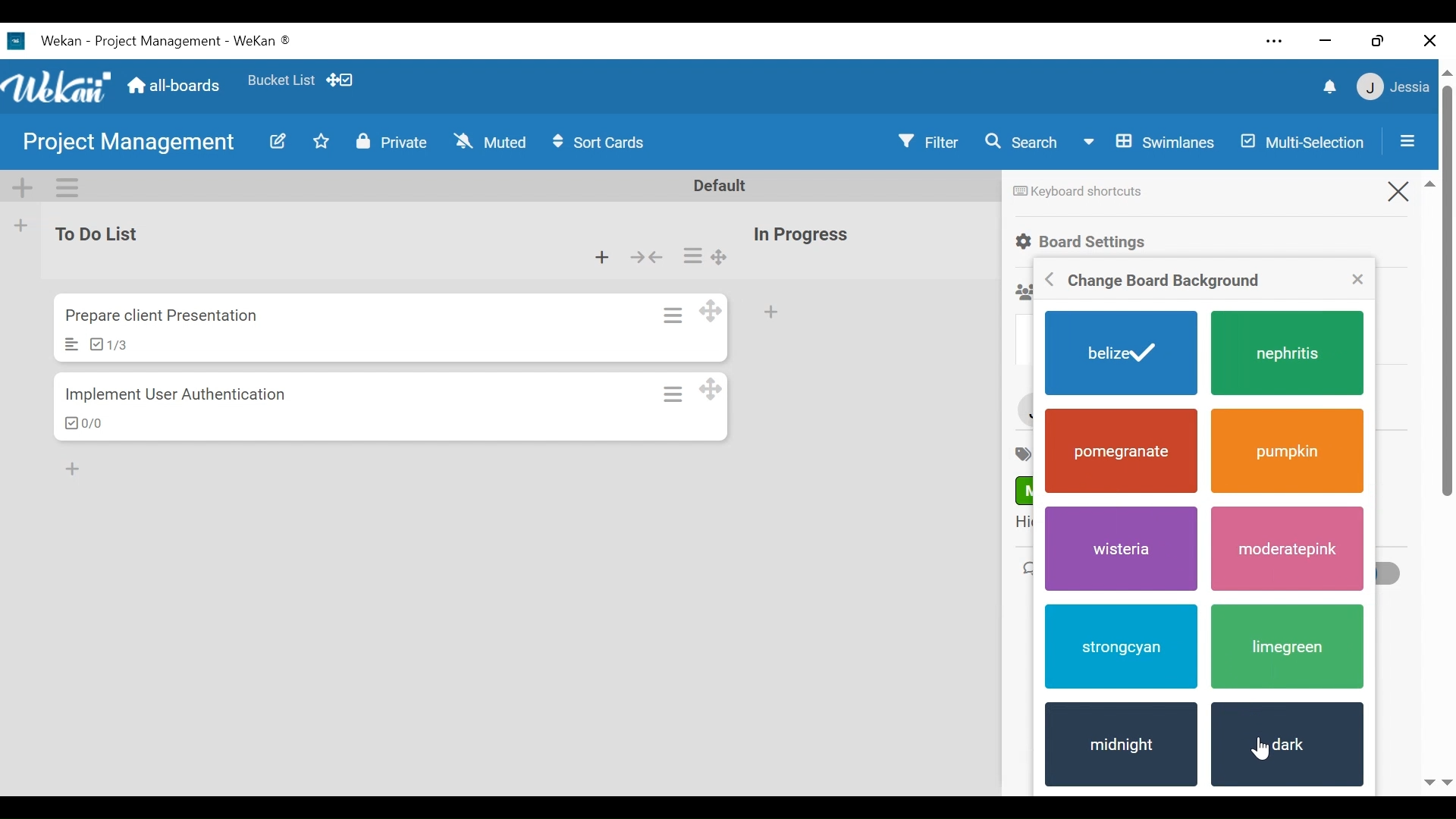  What do you see at coordinates (80, 466) in the screenshot?
I see `add` at bounding box center [80, 466].